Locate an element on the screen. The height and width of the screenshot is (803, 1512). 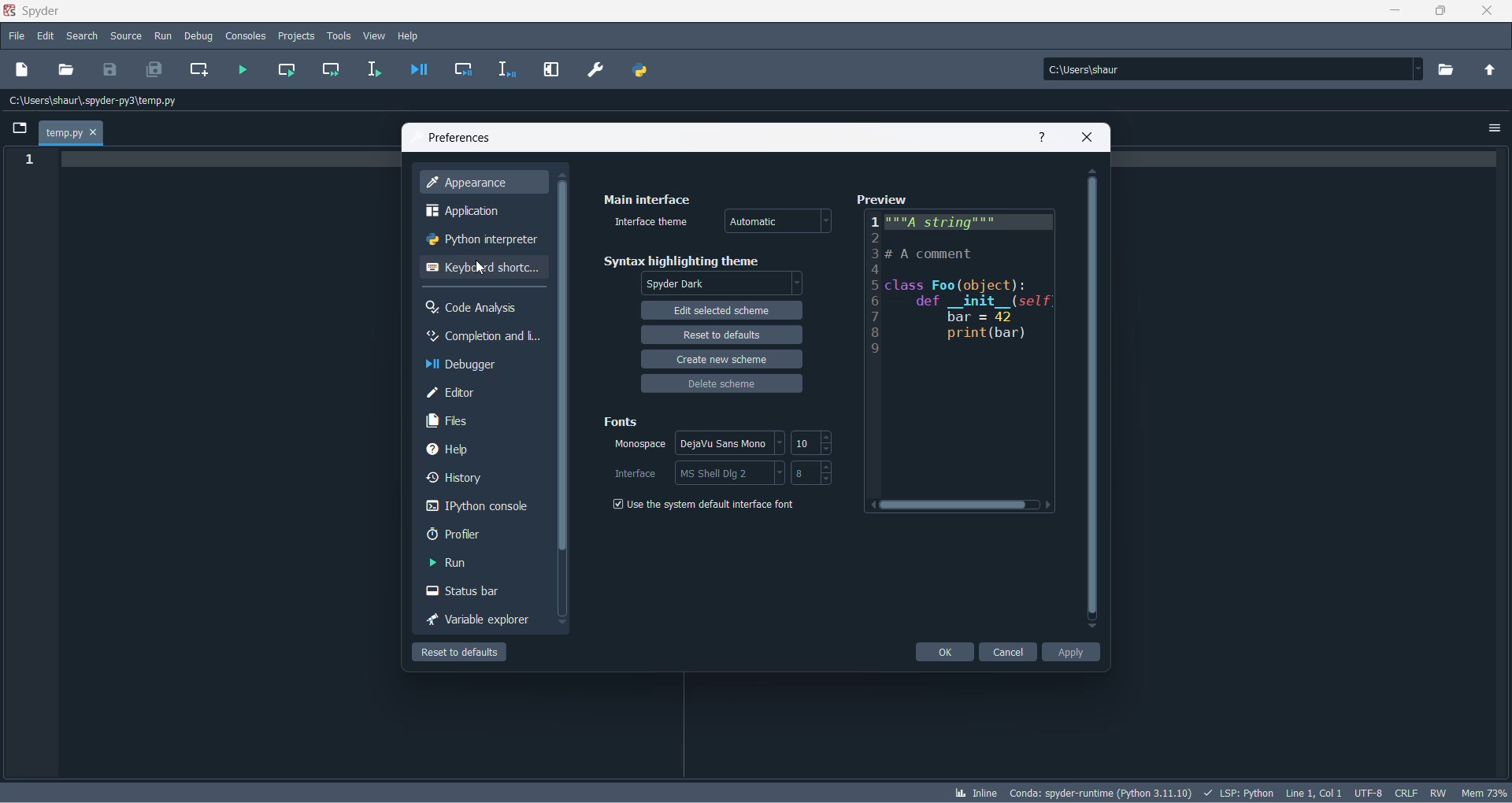
source is located at coordinates (124, 36).